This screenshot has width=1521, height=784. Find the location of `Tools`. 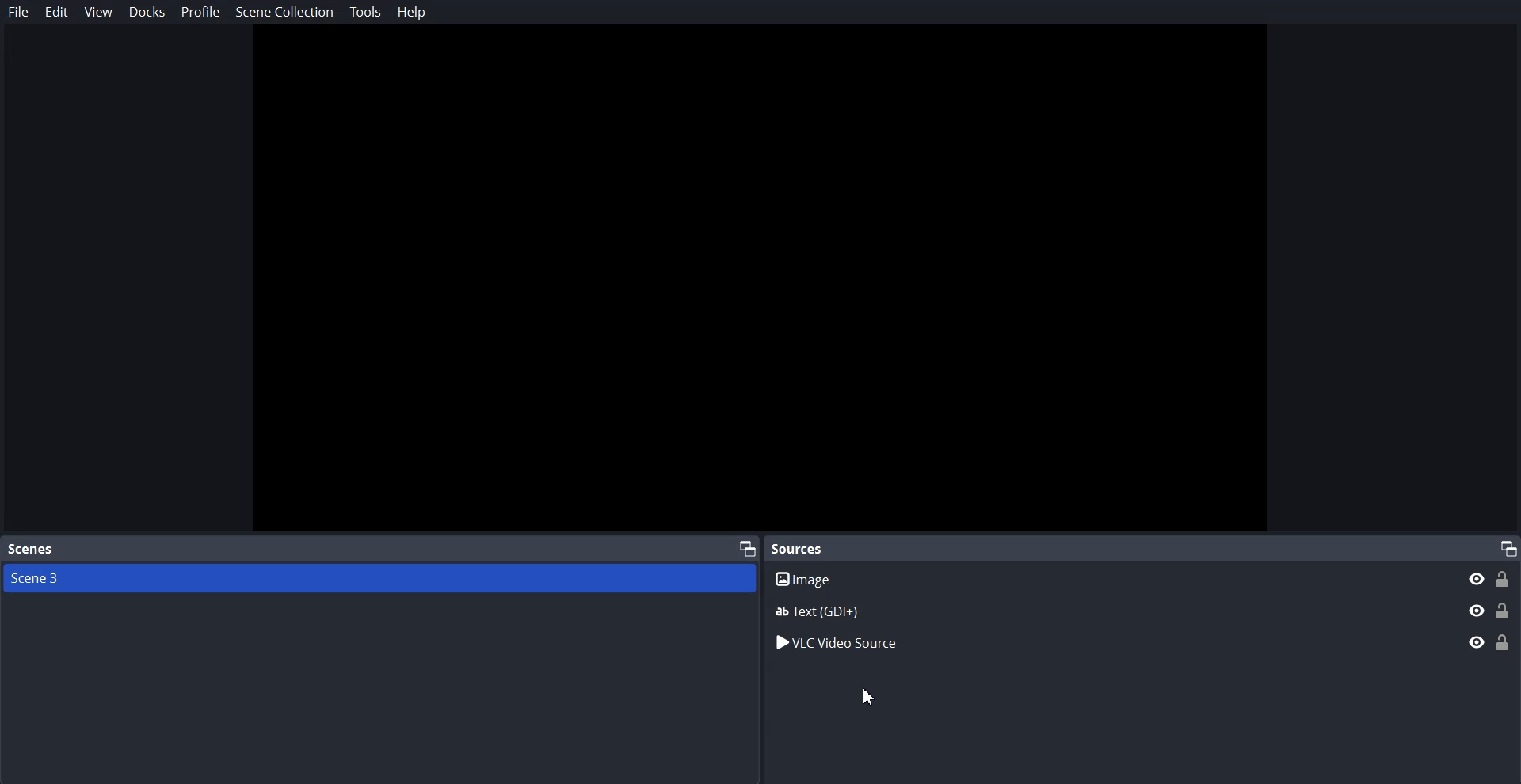

Tools is located at coordinates (366, 12).